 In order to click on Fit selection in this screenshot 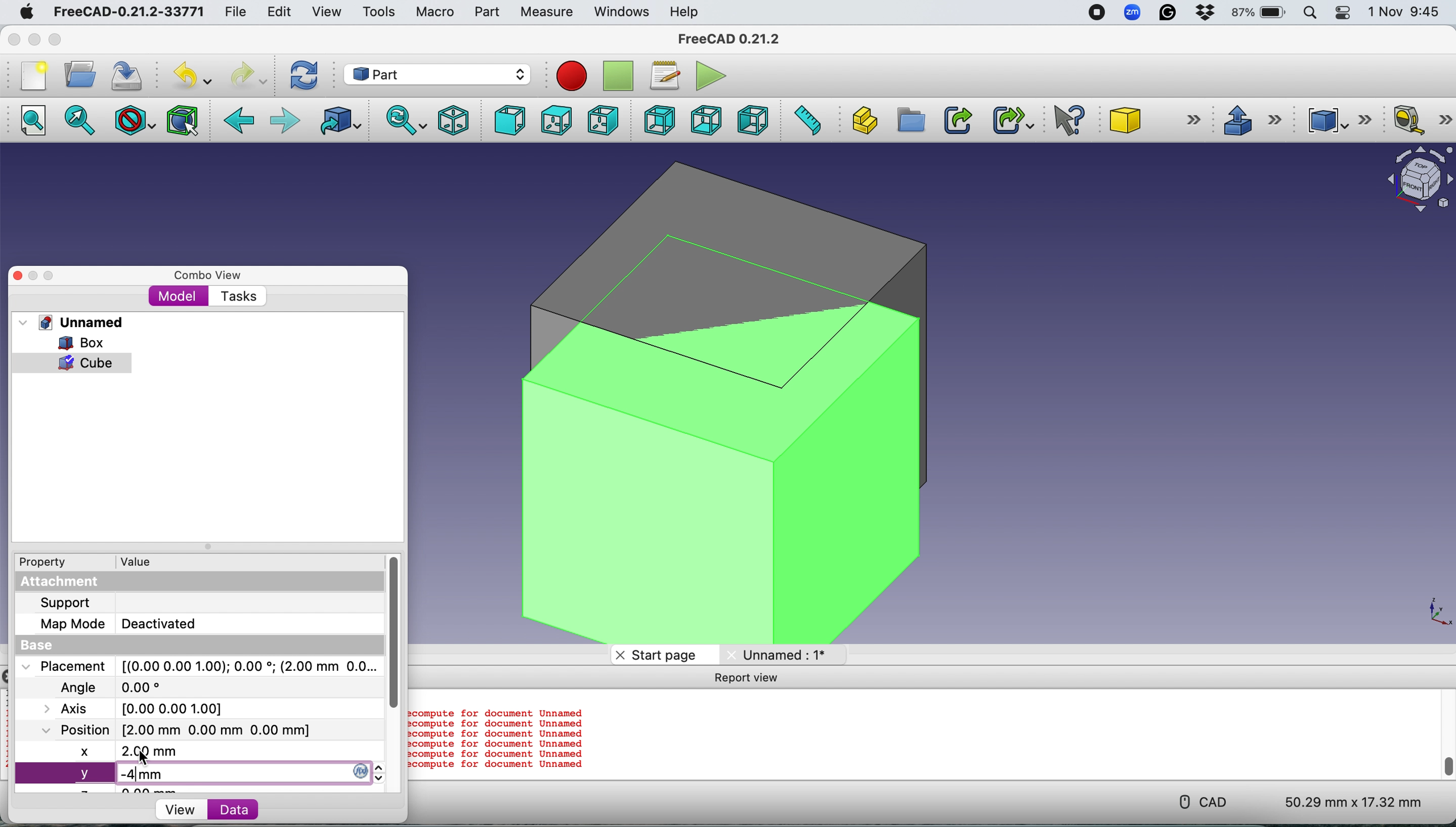, I will do `click(81, 122)`.